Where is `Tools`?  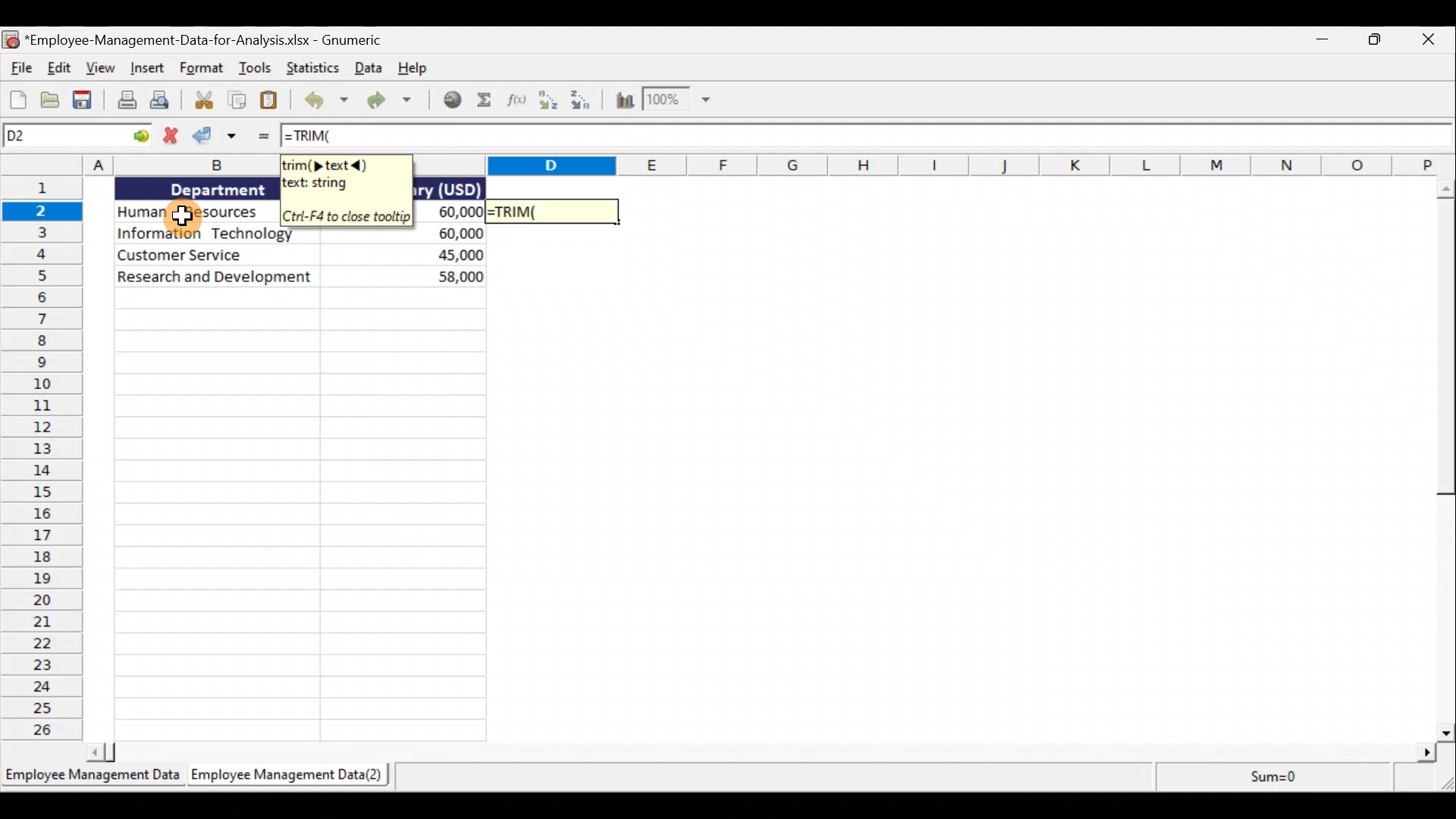 Tools is located at coordinates (258, 68).